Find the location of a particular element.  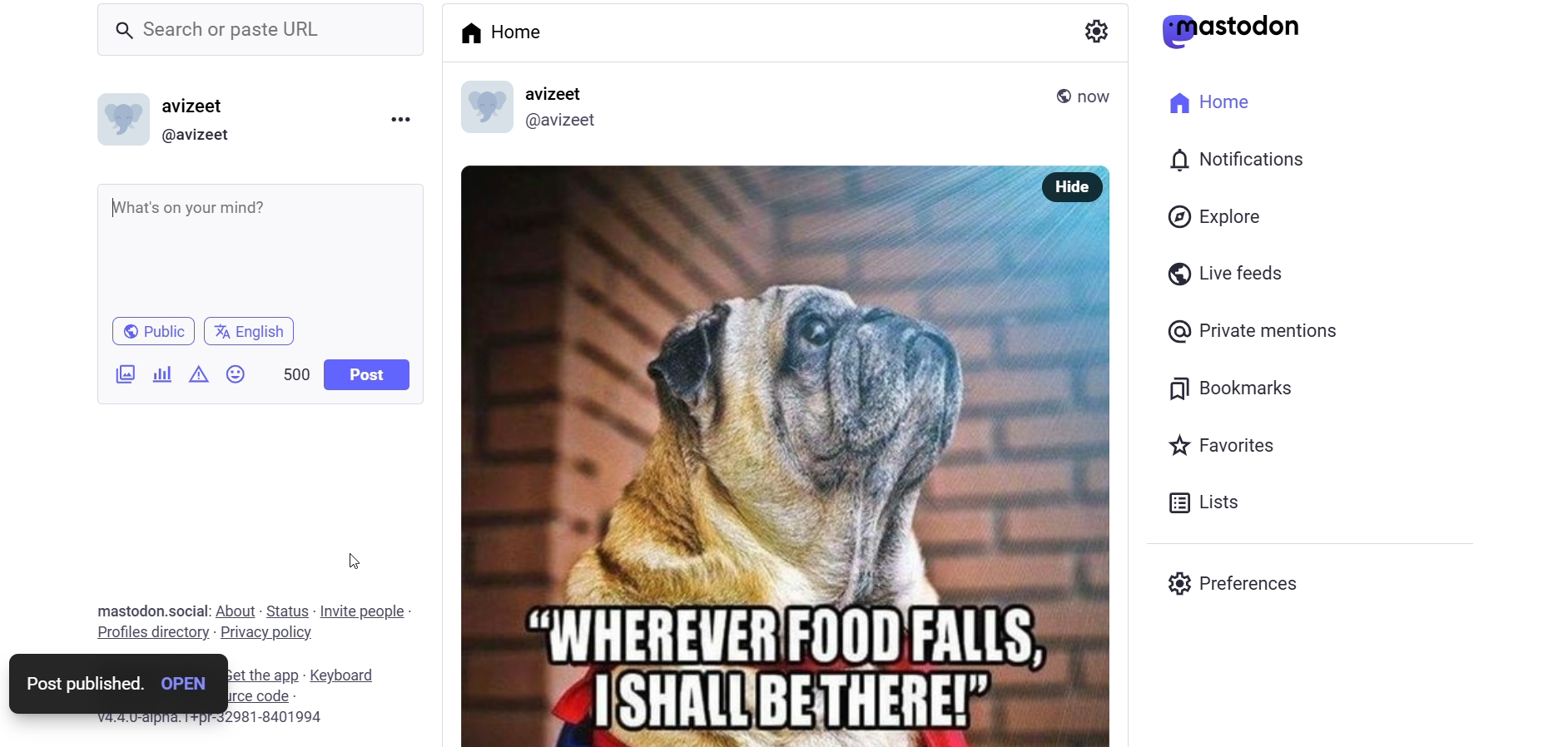

writing area is located at coordinates (275, 242).